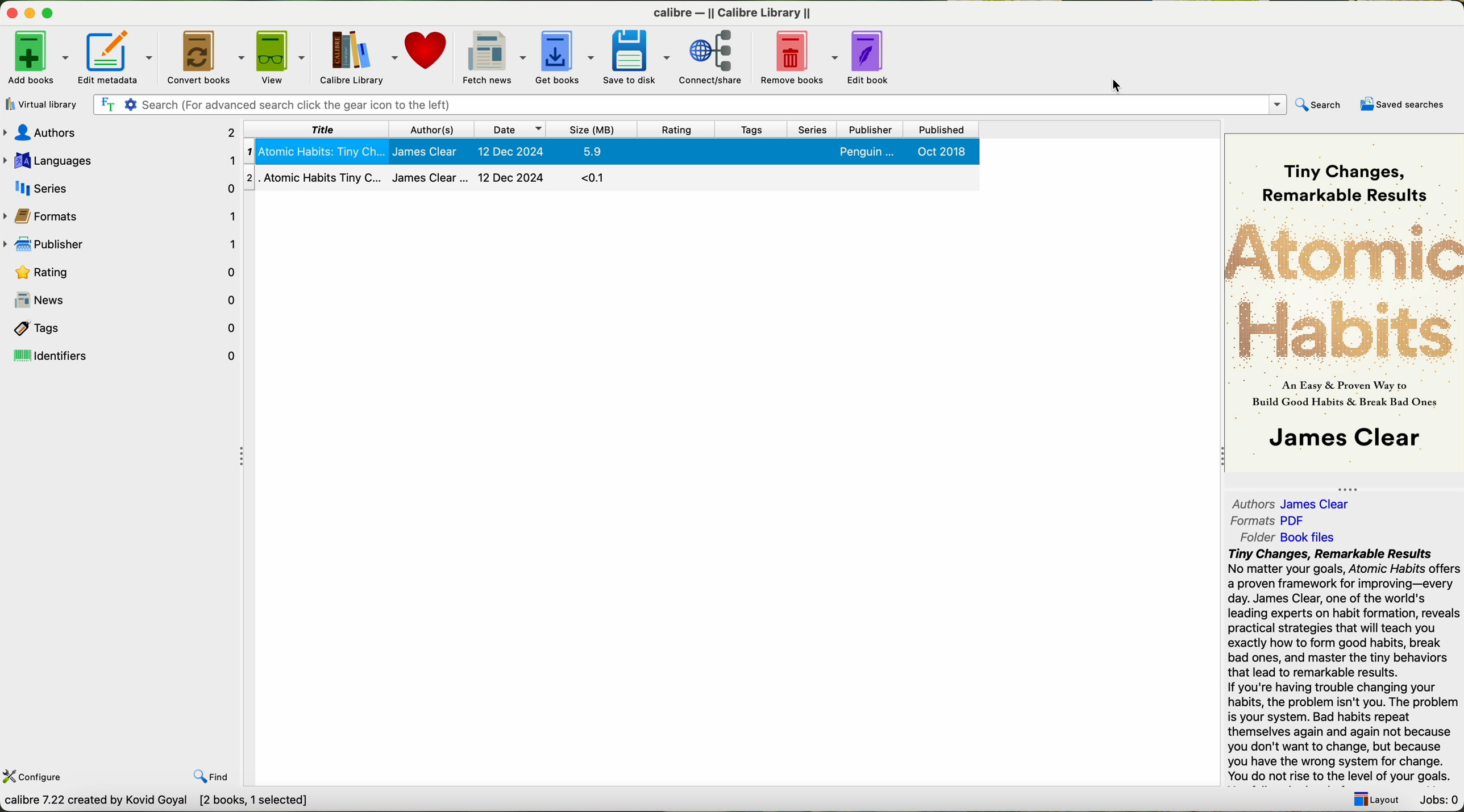 The image size is (1464, 812). I want to click on maximize, so click(50, 13).